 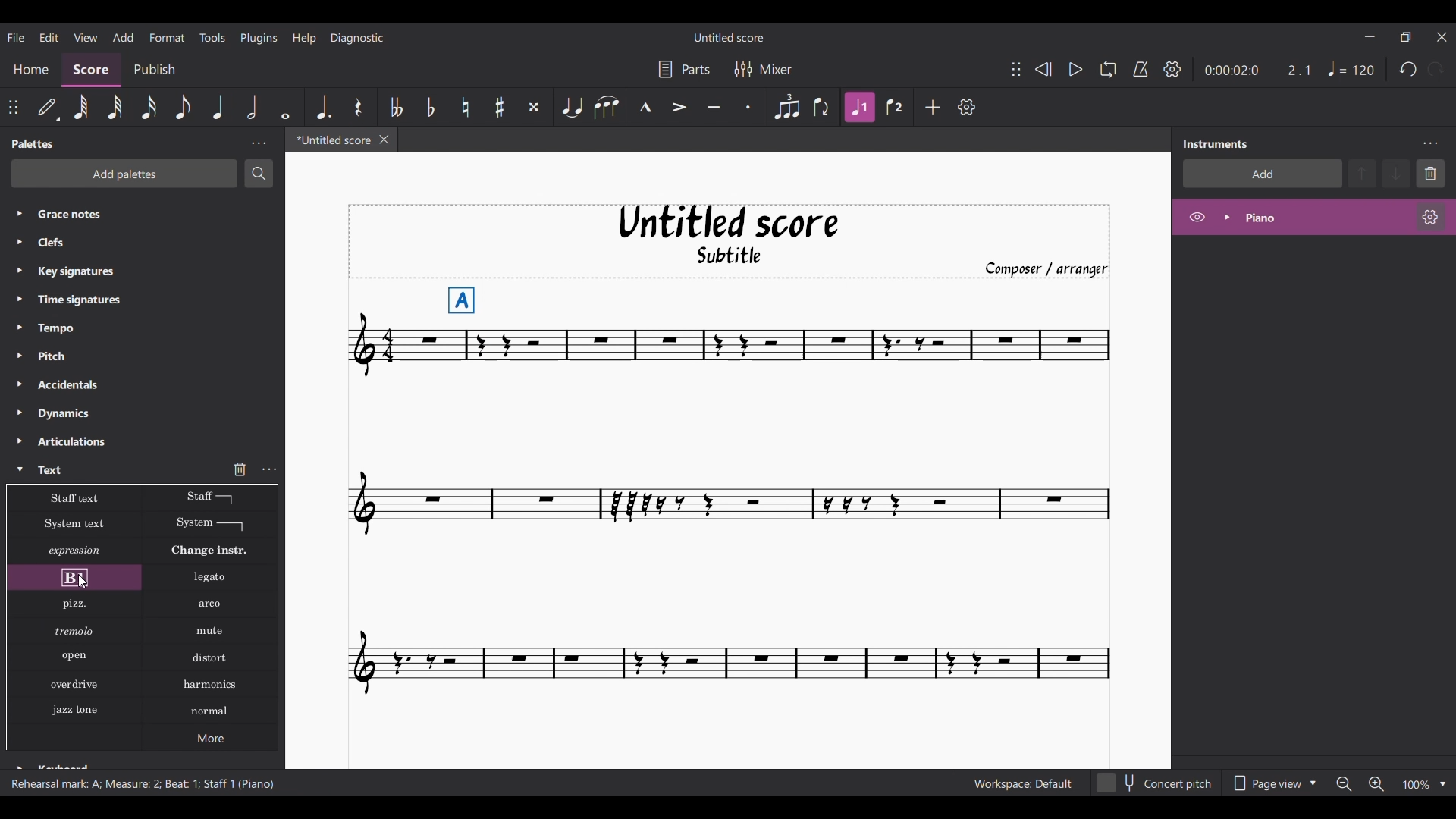 What do you see at coordinates (821, 107) in the screenshot?
I see `Flip direction` at bounding box center [821, 107].